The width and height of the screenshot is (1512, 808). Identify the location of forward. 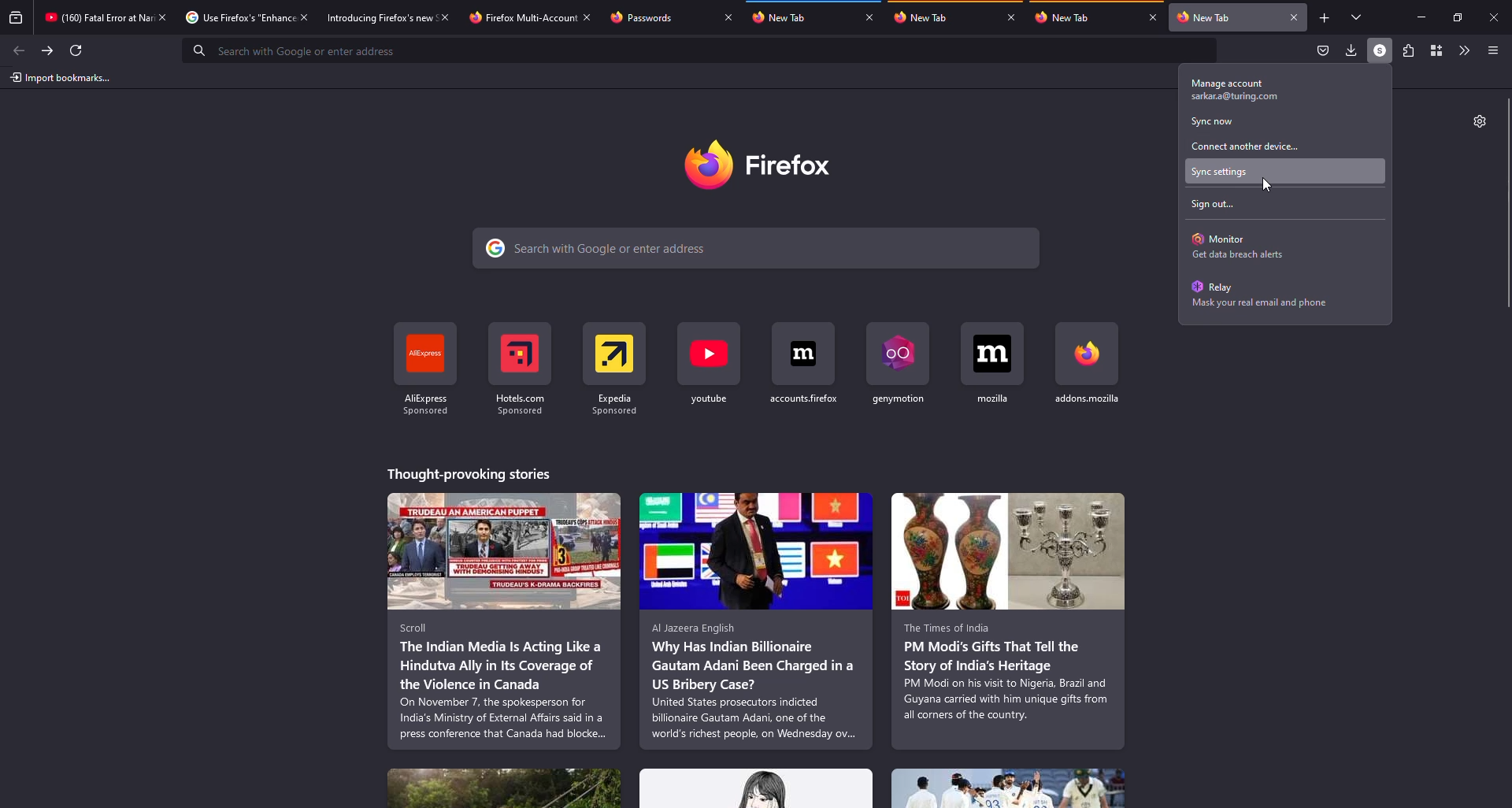
(50, 50).